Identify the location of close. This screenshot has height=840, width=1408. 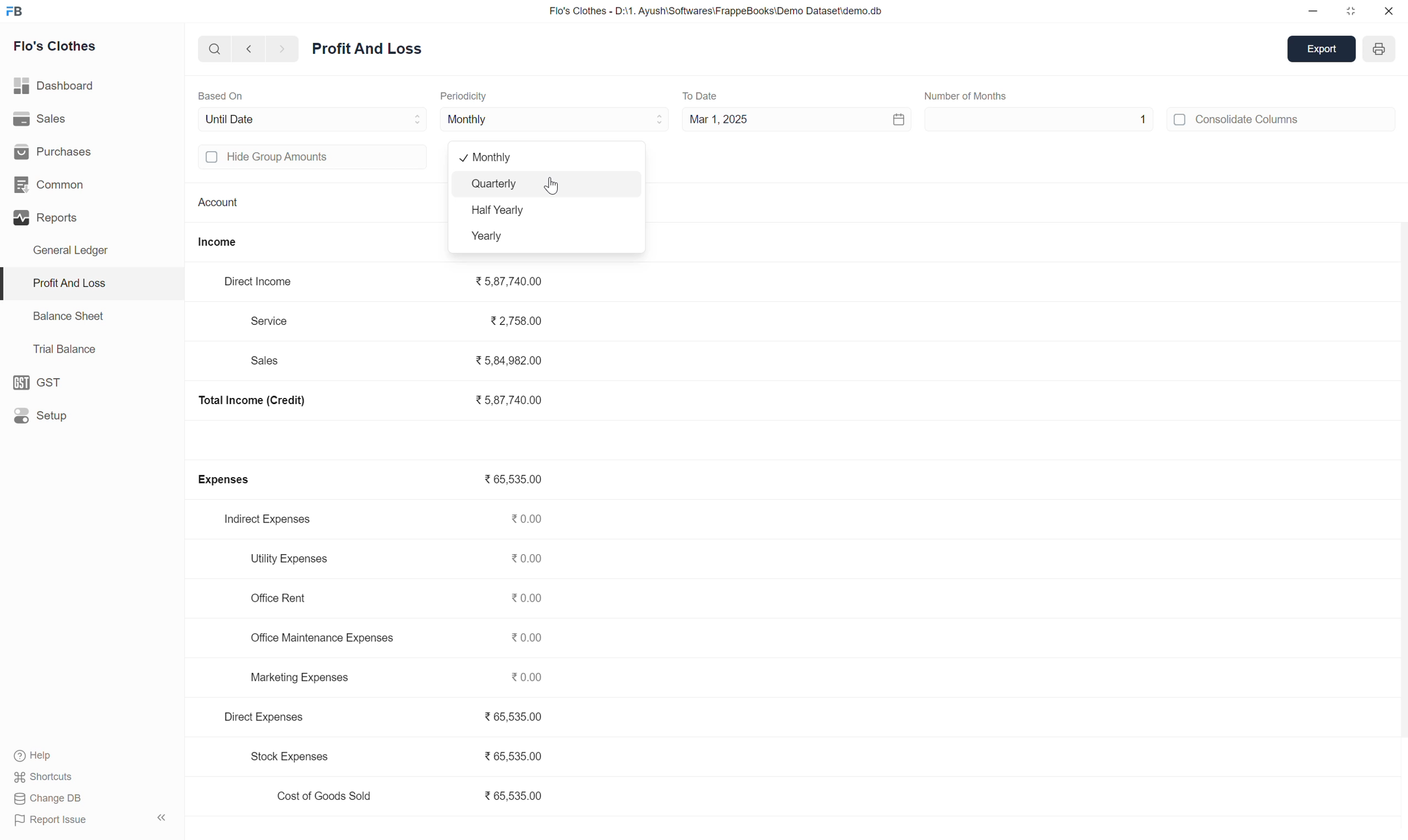
(1389, 11).